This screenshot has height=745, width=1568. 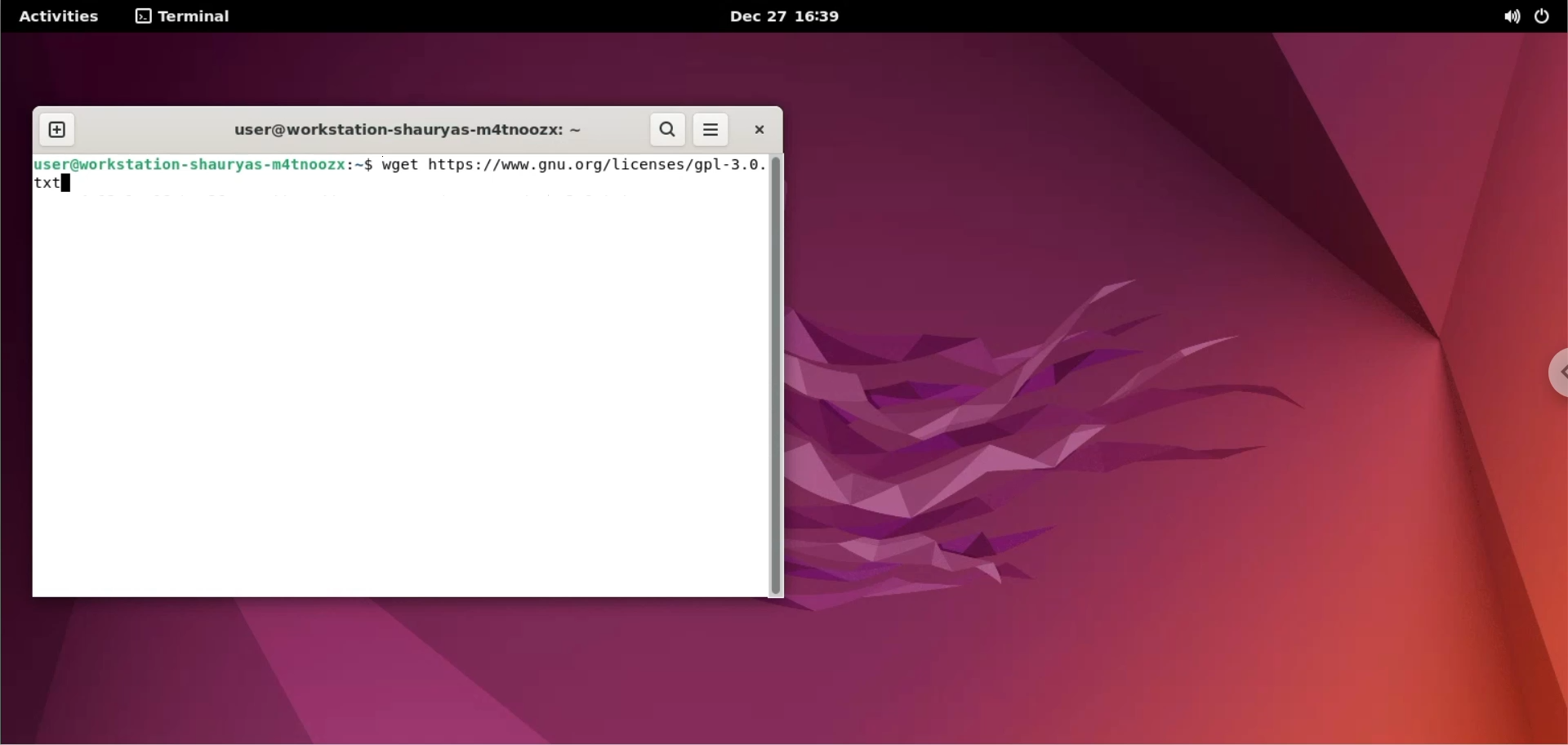 What do you see at coordinates (58, 130) in the screenshot?
I see `new tab` at bounding box center [58, 130].